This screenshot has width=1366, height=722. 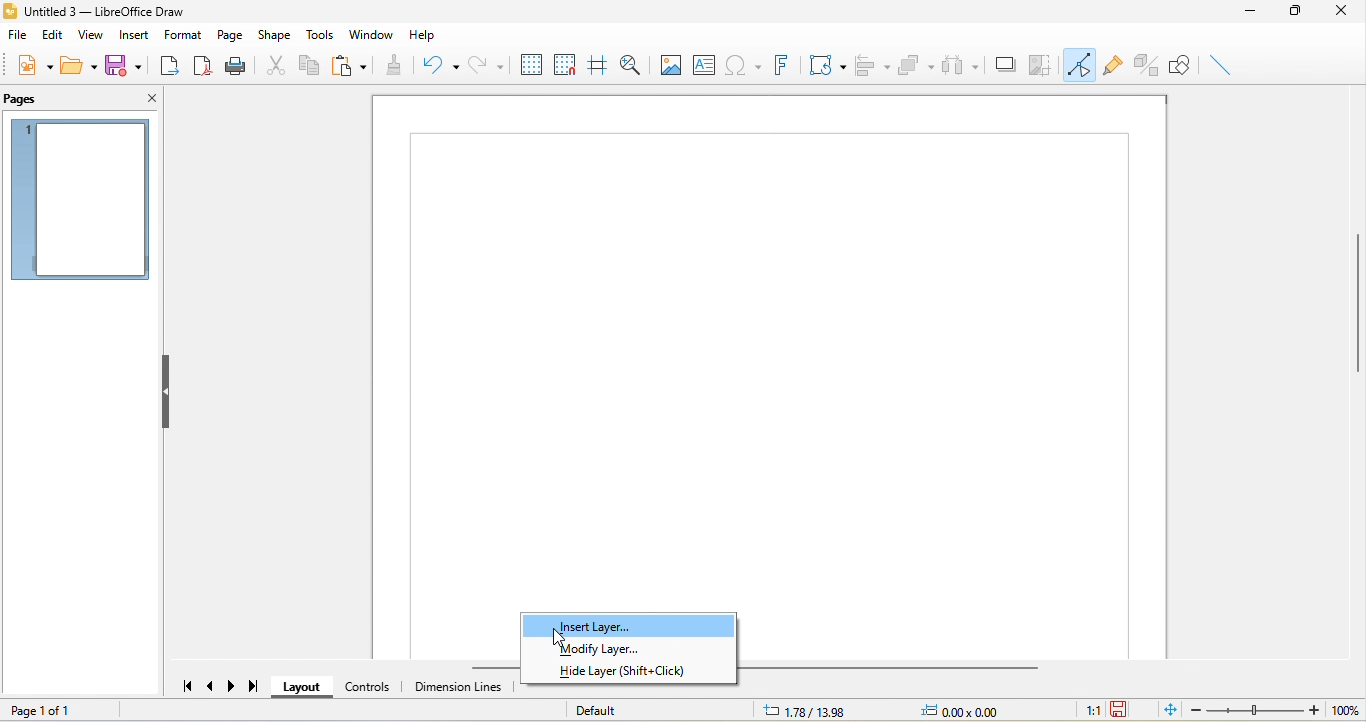 I want to click on insert layer, so click(x=626, y=626).